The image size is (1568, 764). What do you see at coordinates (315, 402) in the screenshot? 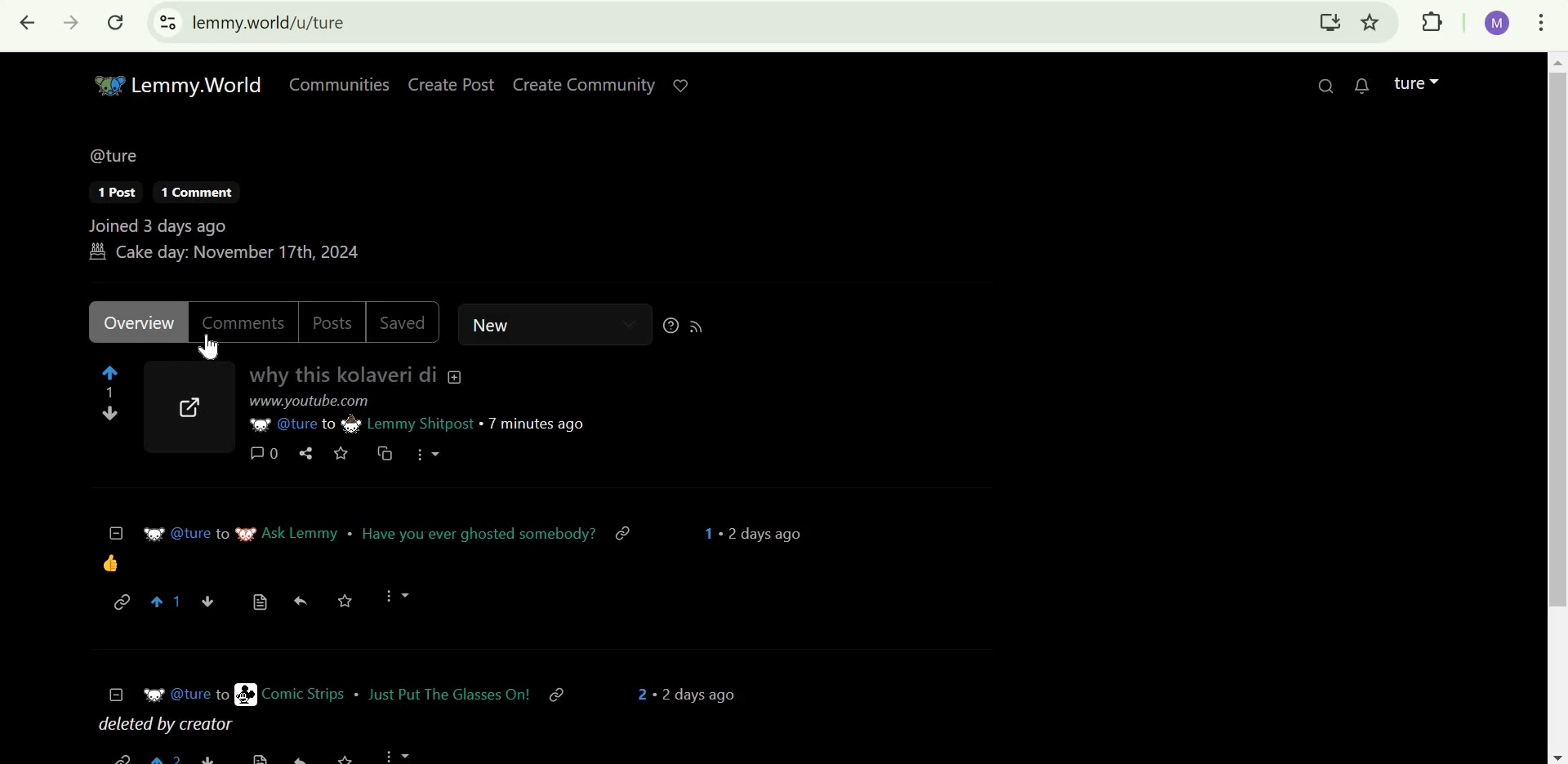
I see `link` at bounding box center [315, 402].